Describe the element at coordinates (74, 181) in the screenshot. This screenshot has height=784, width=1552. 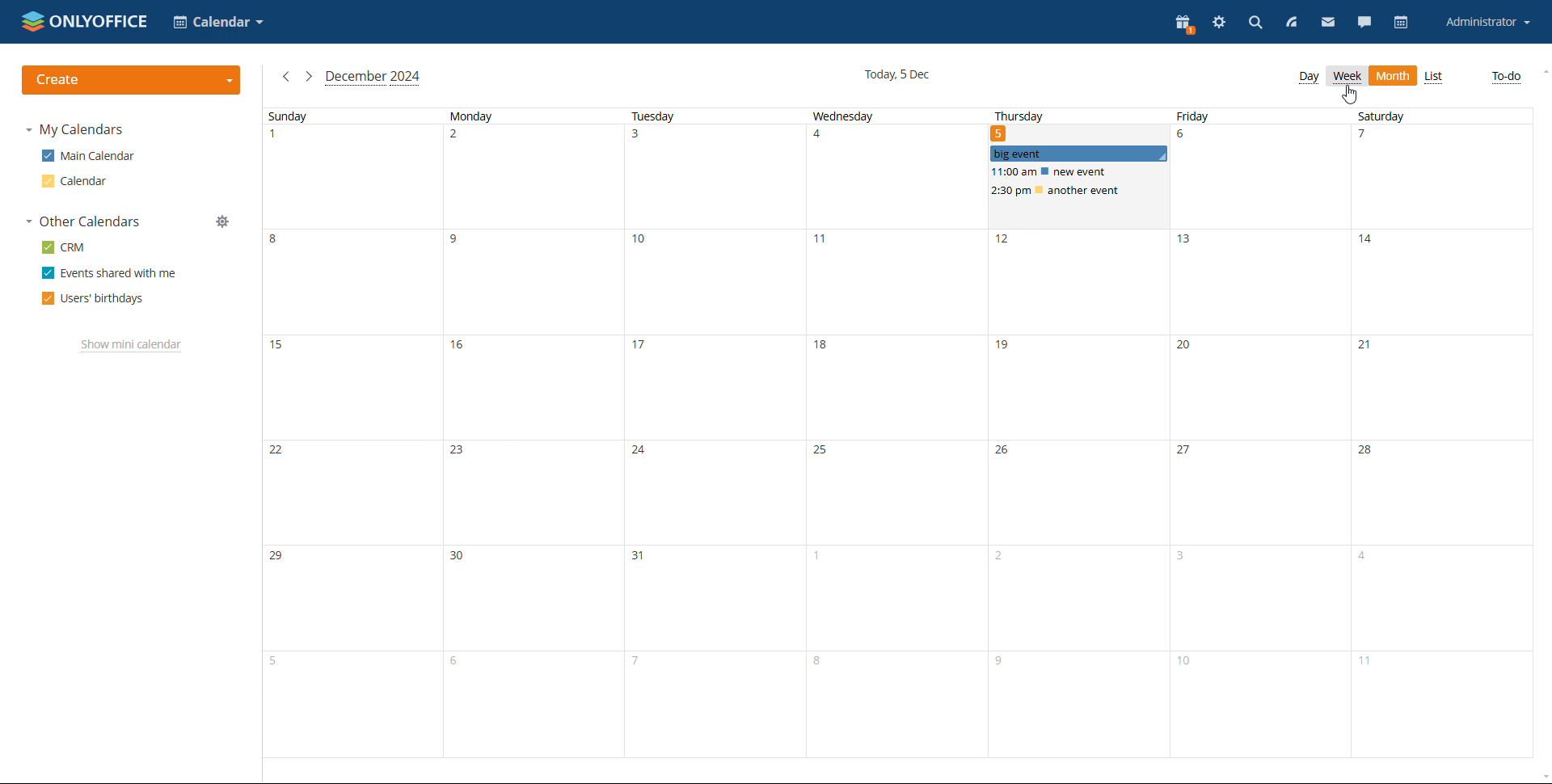
I see `calendar` at that location.